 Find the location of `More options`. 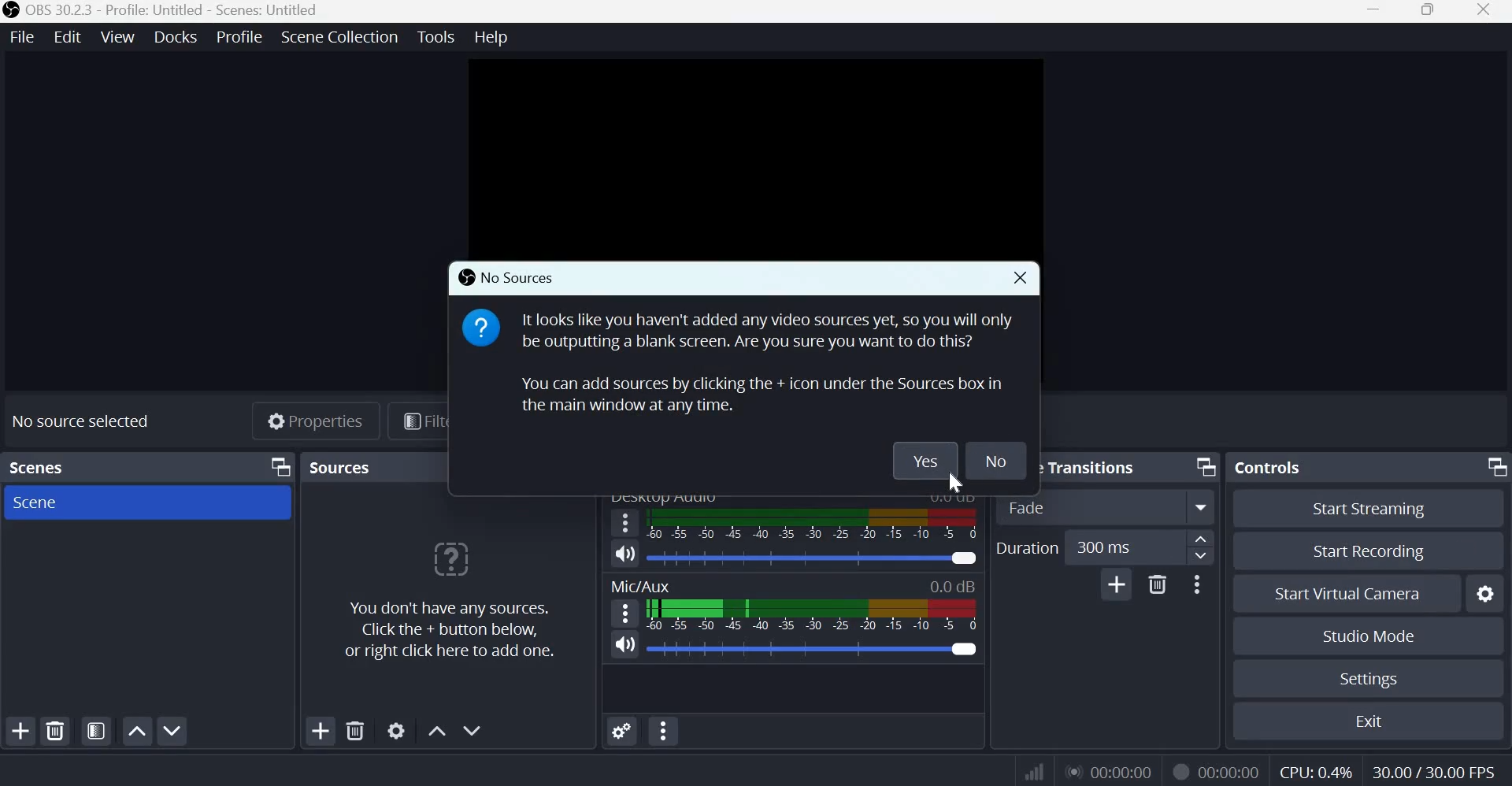

More options is located at coordinates (1201, 584).